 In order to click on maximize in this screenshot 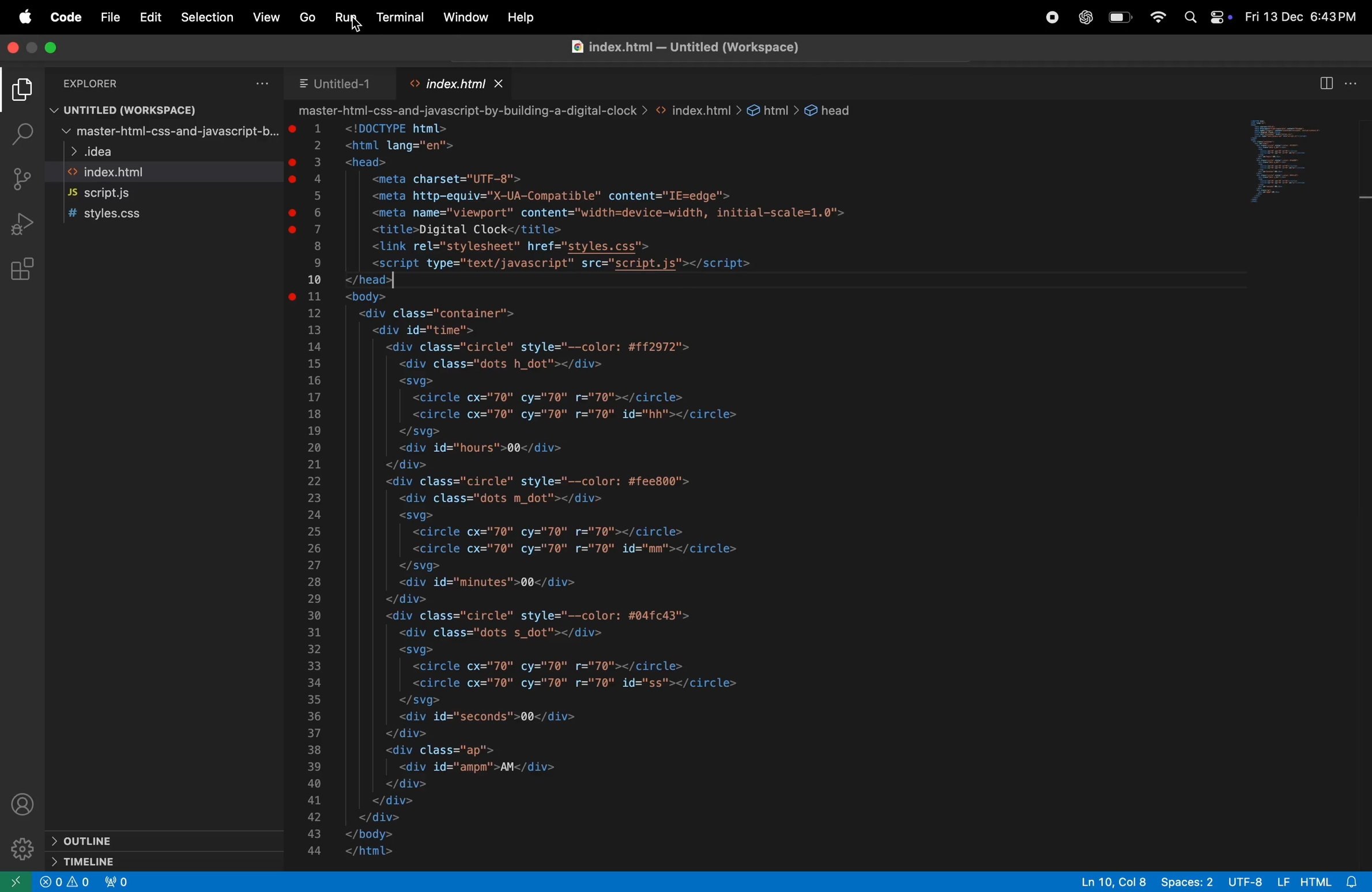, I will do `click(50, 48)`.